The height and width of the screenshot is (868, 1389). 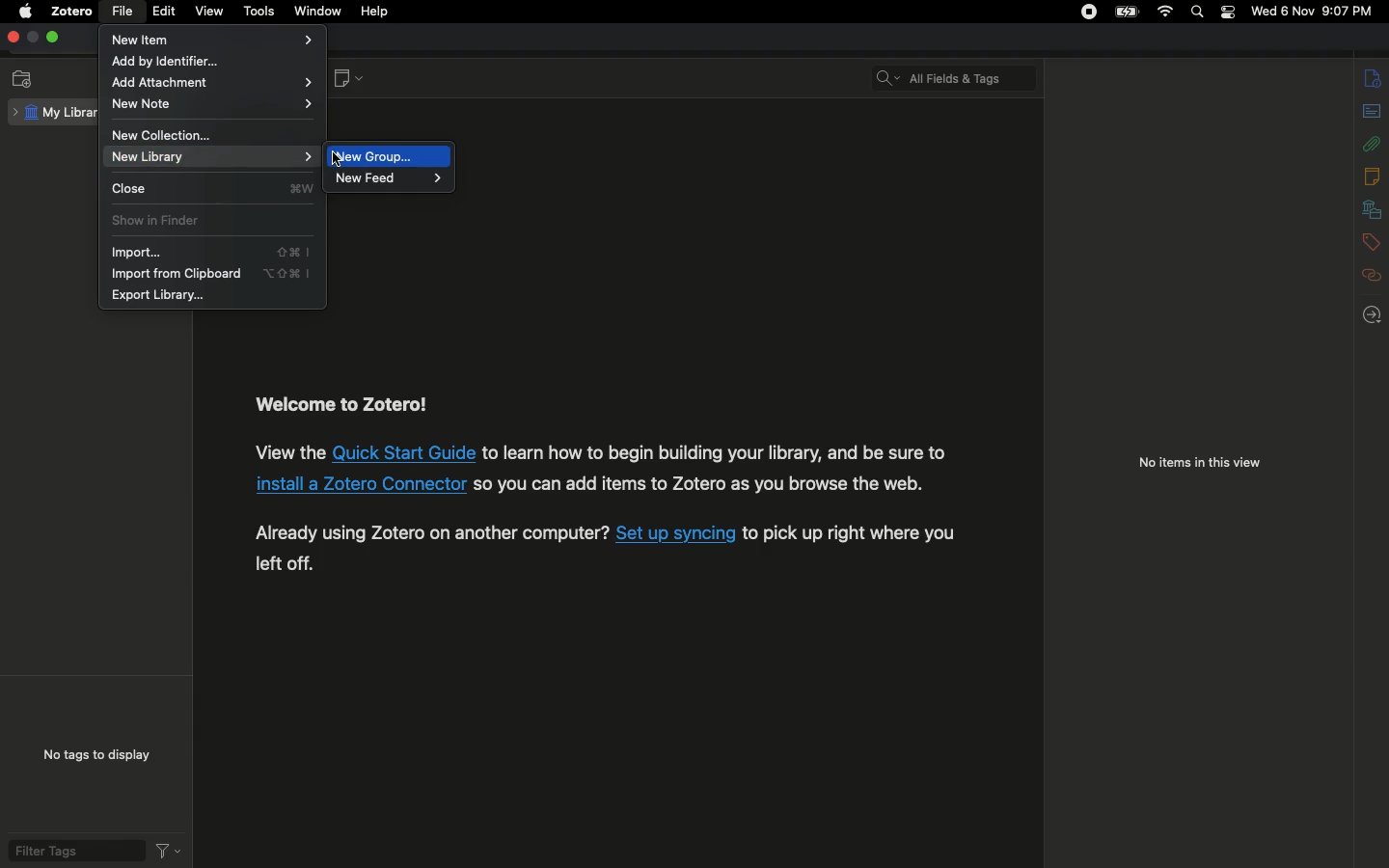 I want to click on Attachments, so click(x=1373, y=141).